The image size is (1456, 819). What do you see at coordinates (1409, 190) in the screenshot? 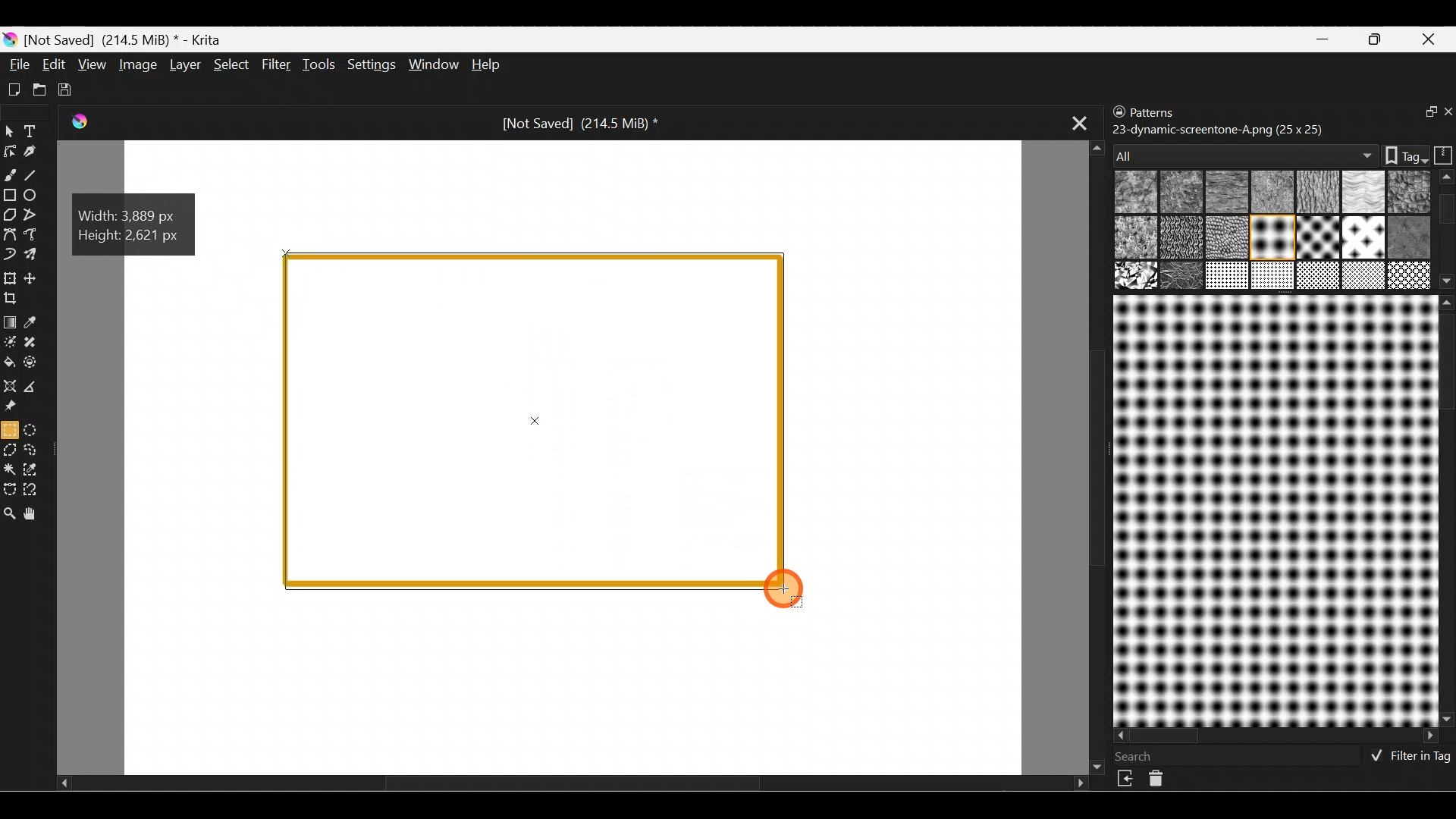
I see `06 Hard-grain.png` at bounding box center [1409, 190].